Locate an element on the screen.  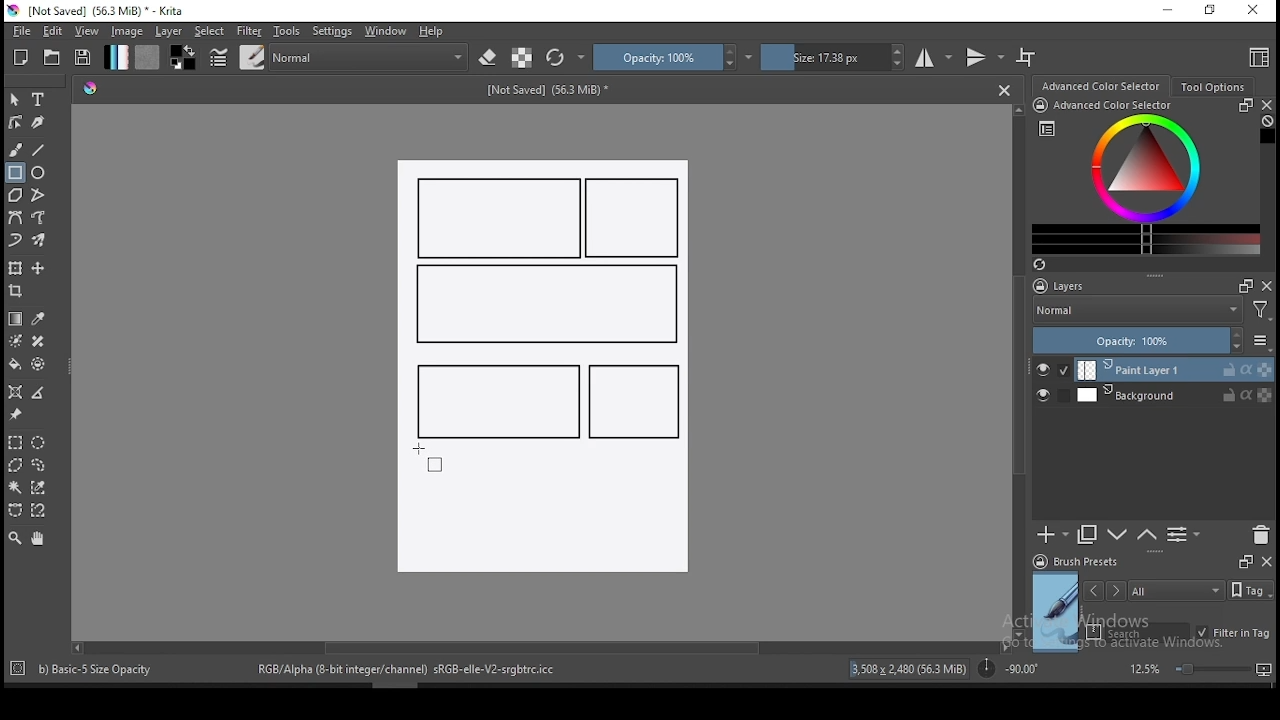
layer visibility on/off is located at coordinates (1053, 370).